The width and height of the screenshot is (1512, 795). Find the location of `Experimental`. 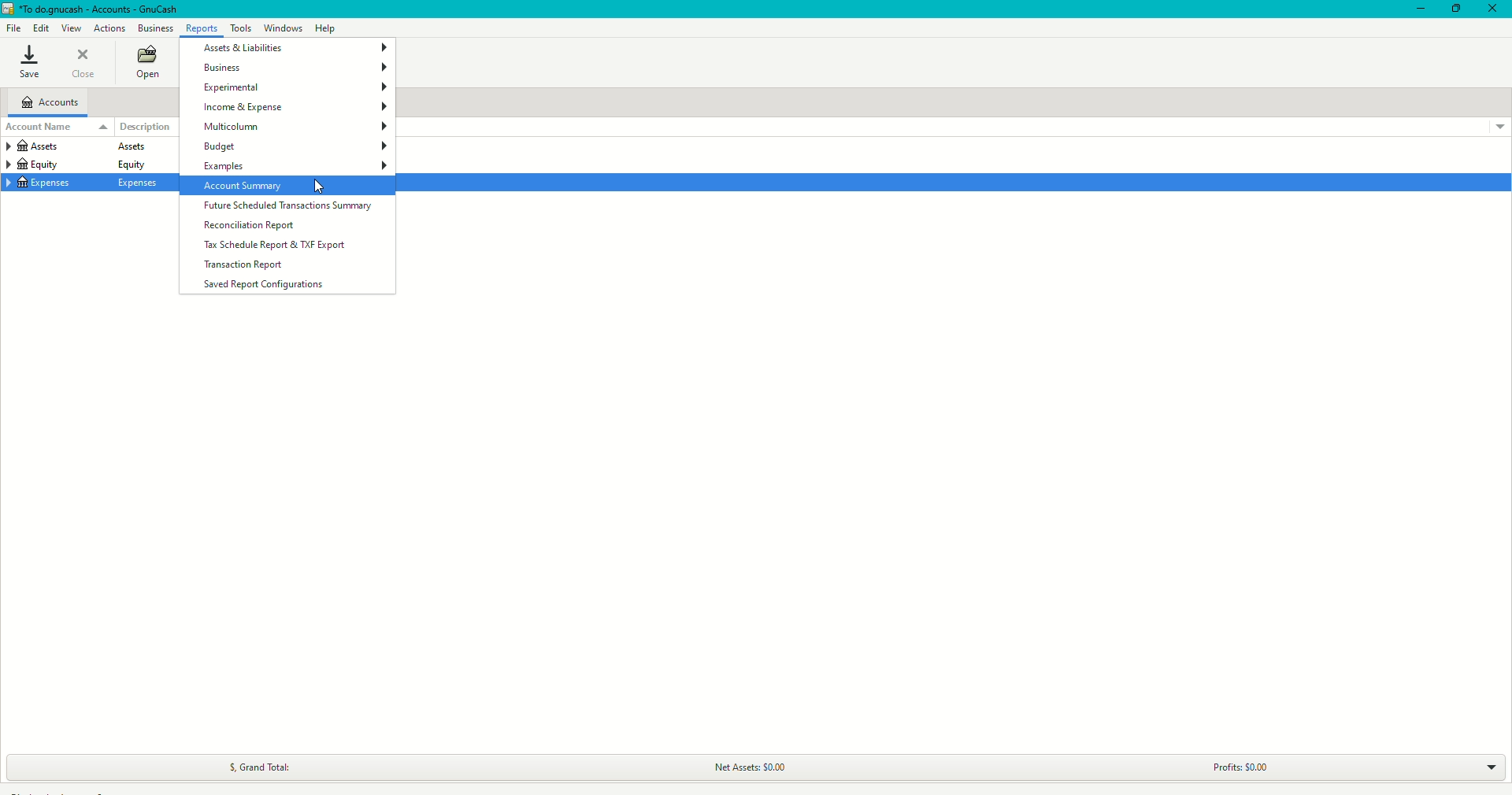

Experimental is located at coordinates (295, 87).